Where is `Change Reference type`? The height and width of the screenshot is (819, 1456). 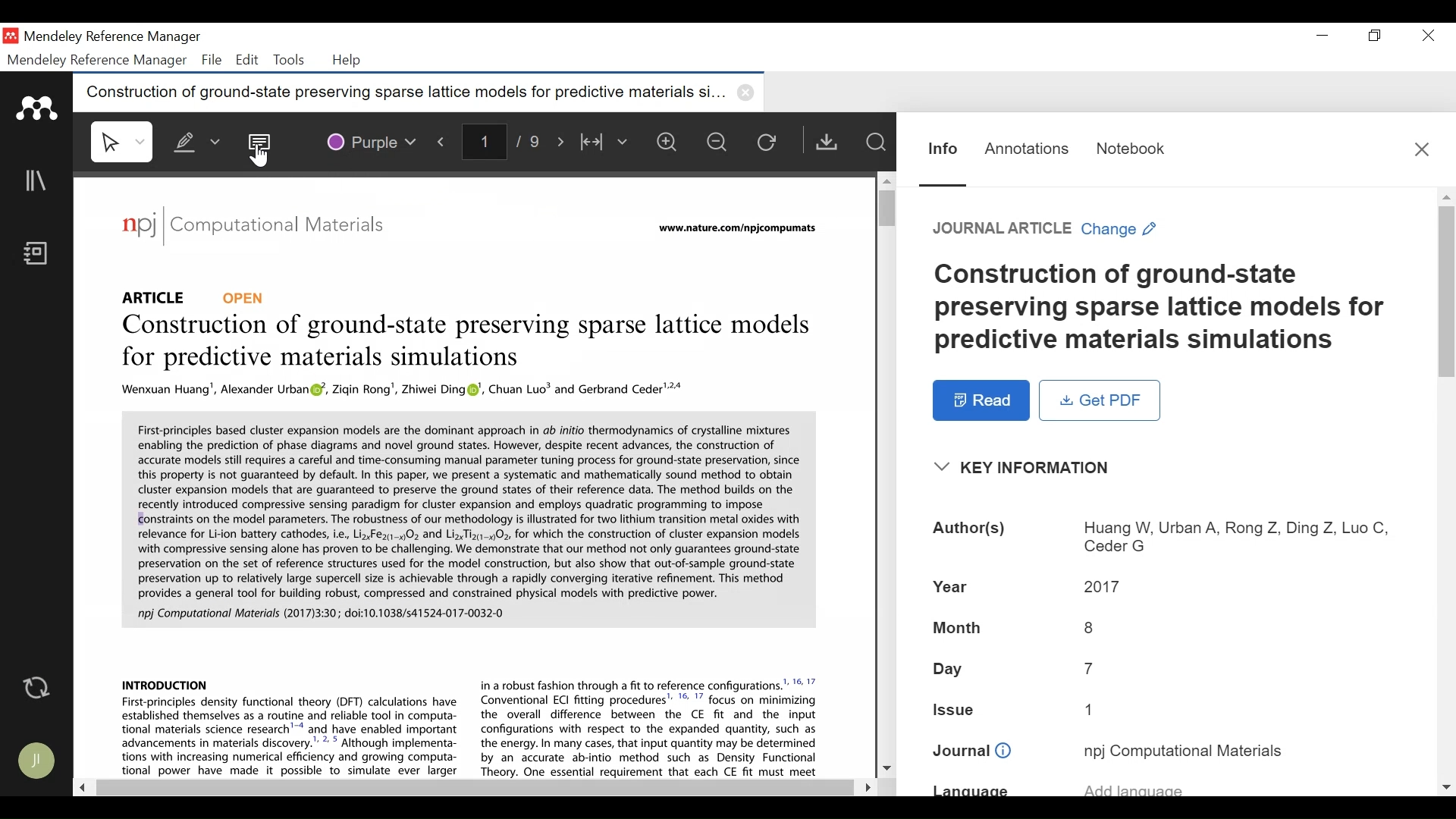
Change Reference type is located at coordinates (1047, 230).